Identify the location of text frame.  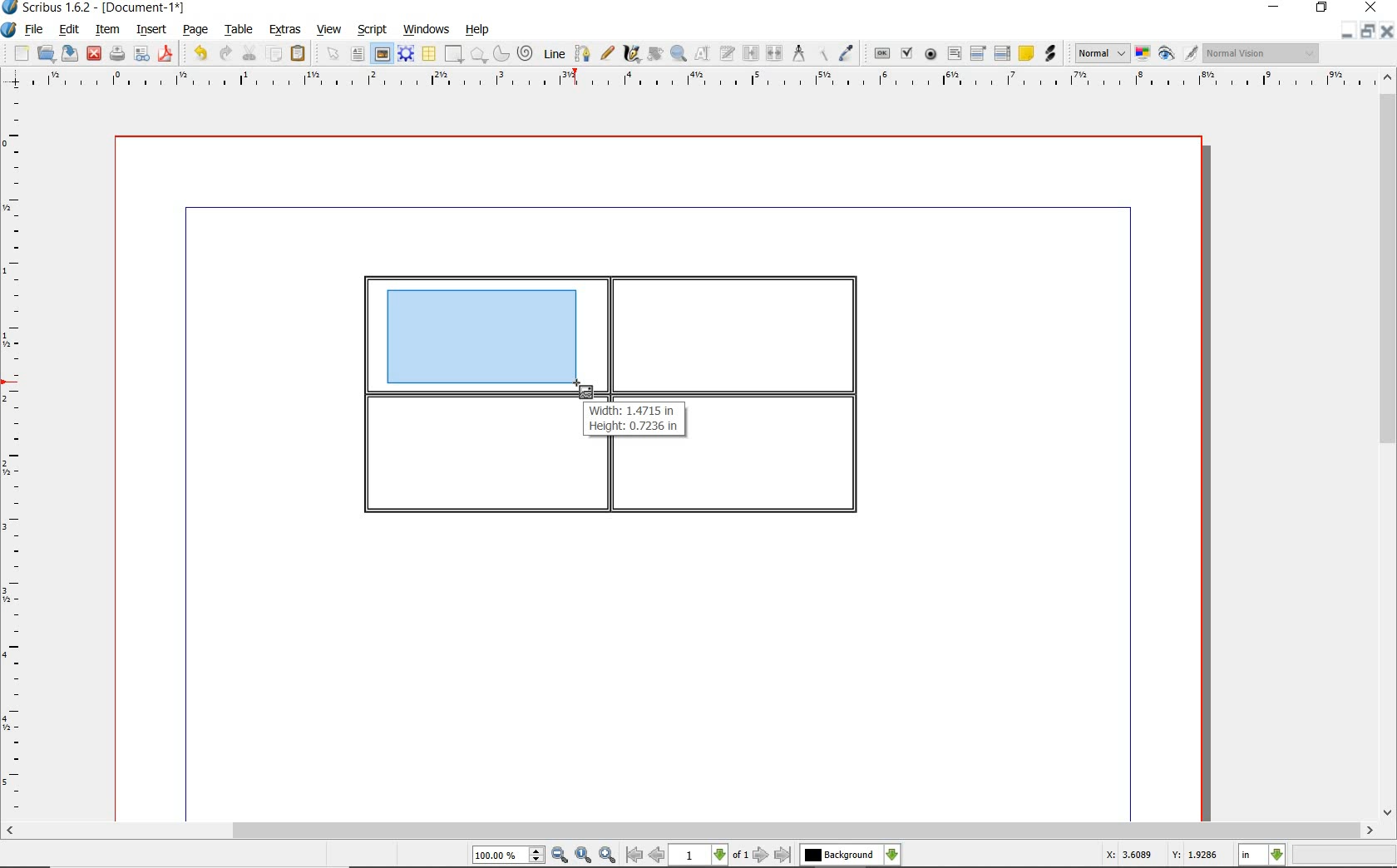
(358, 56).